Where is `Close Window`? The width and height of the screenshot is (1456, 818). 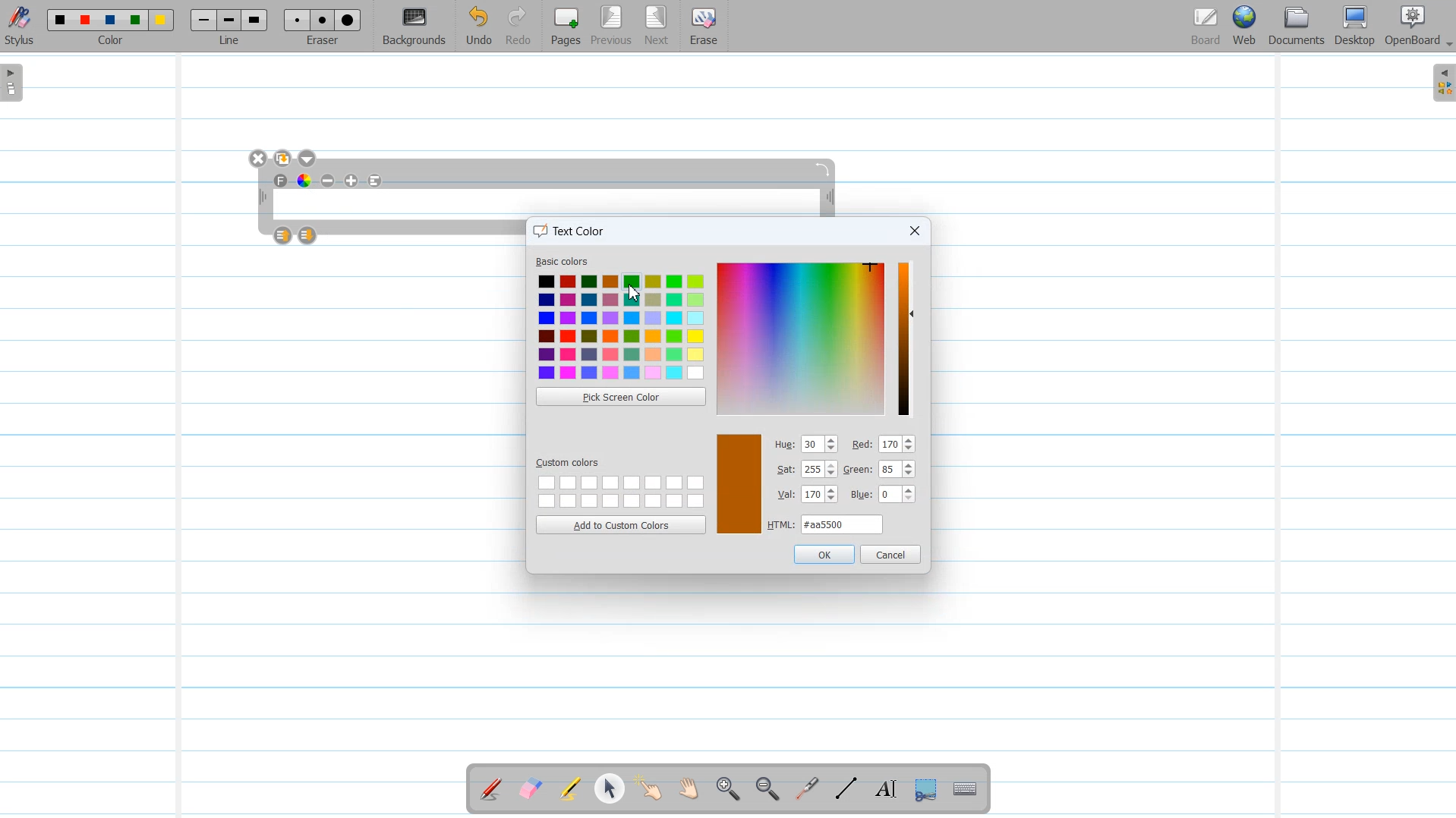
Close Window is located at coordinates (259, 159).